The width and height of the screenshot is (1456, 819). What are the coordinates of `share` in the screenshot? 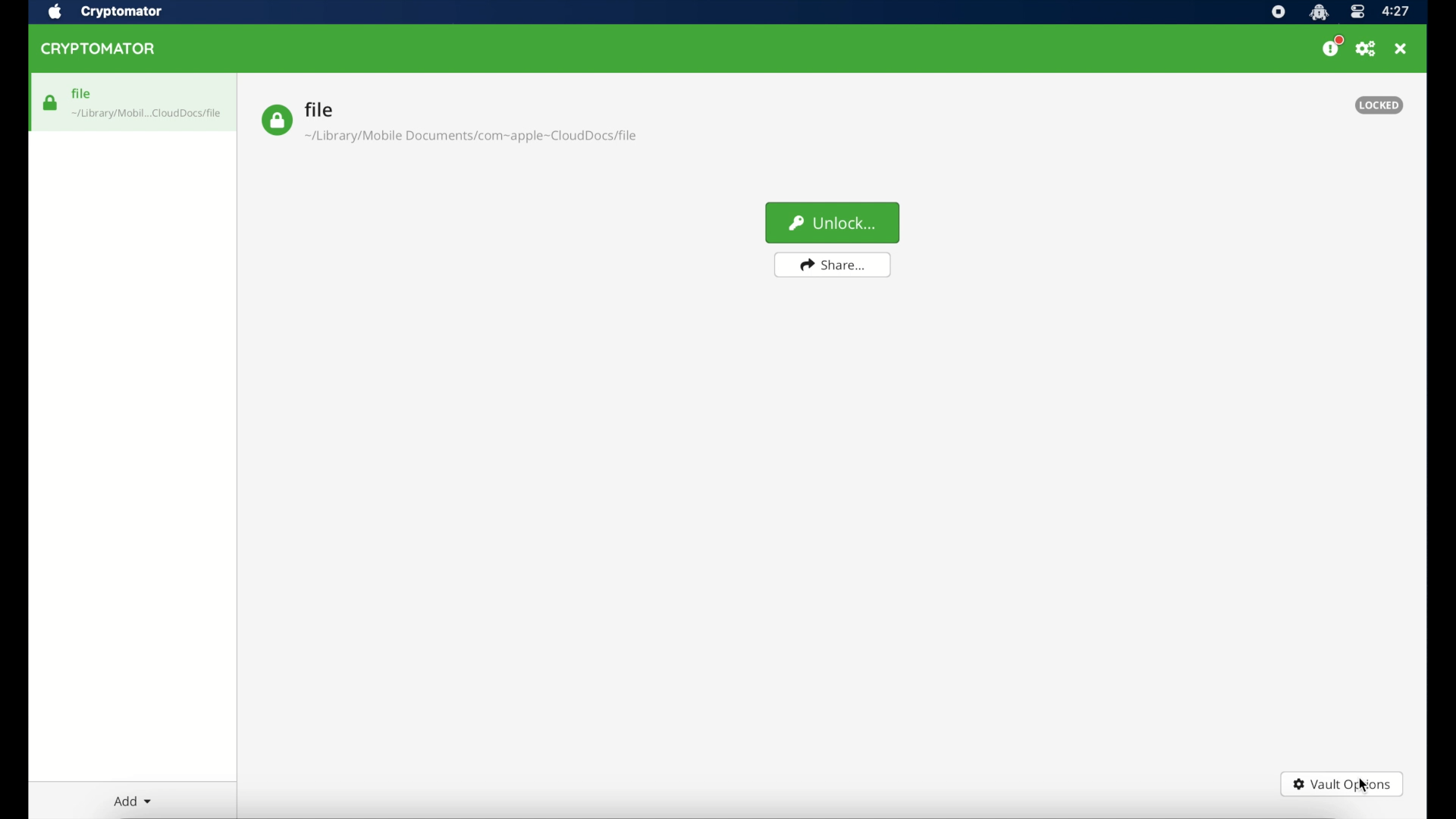 It's located at (833, 265).